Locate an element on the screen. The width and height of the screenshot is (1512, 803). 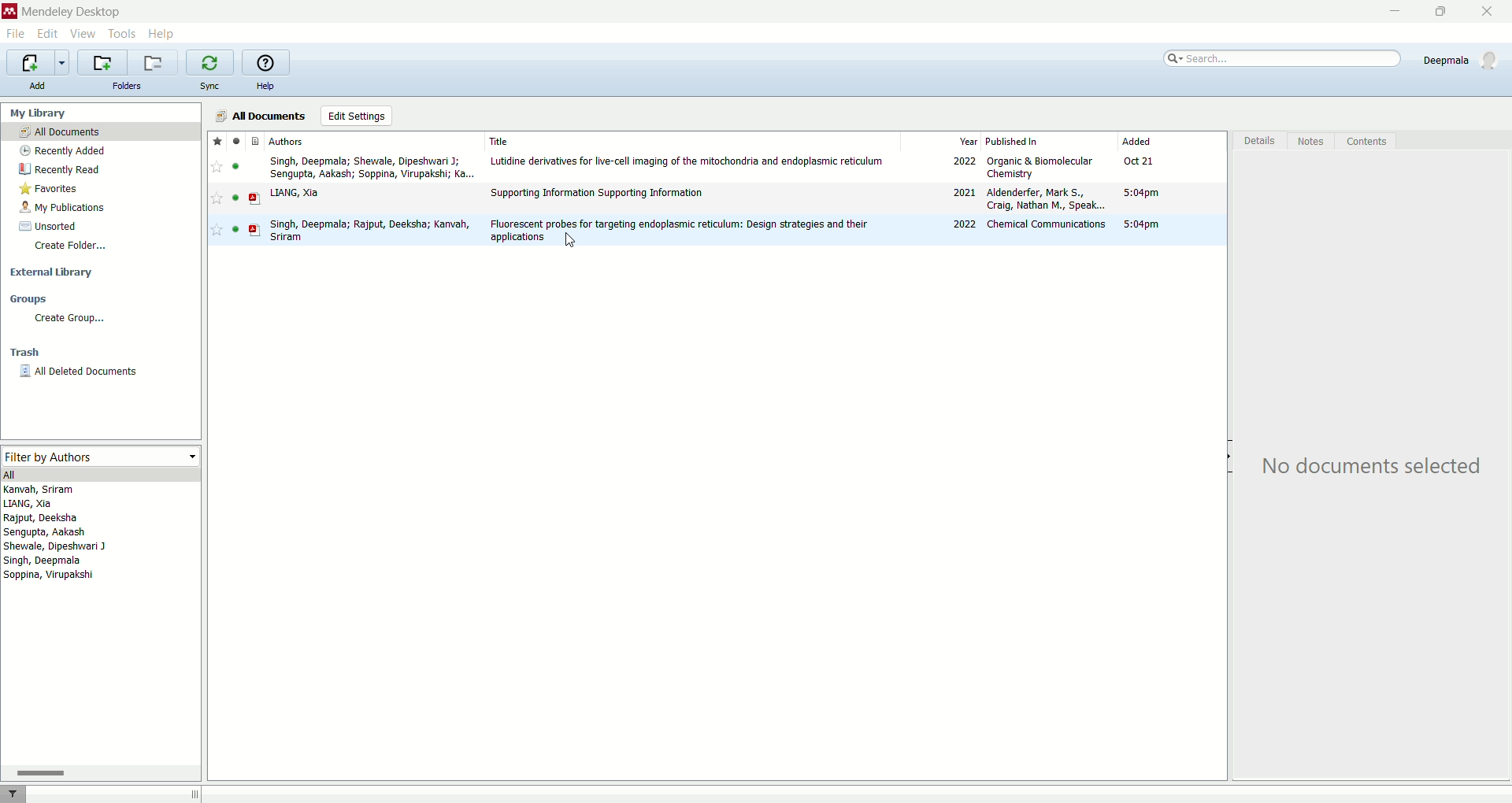
Chemical communications is located at coordinates (1044, 224).